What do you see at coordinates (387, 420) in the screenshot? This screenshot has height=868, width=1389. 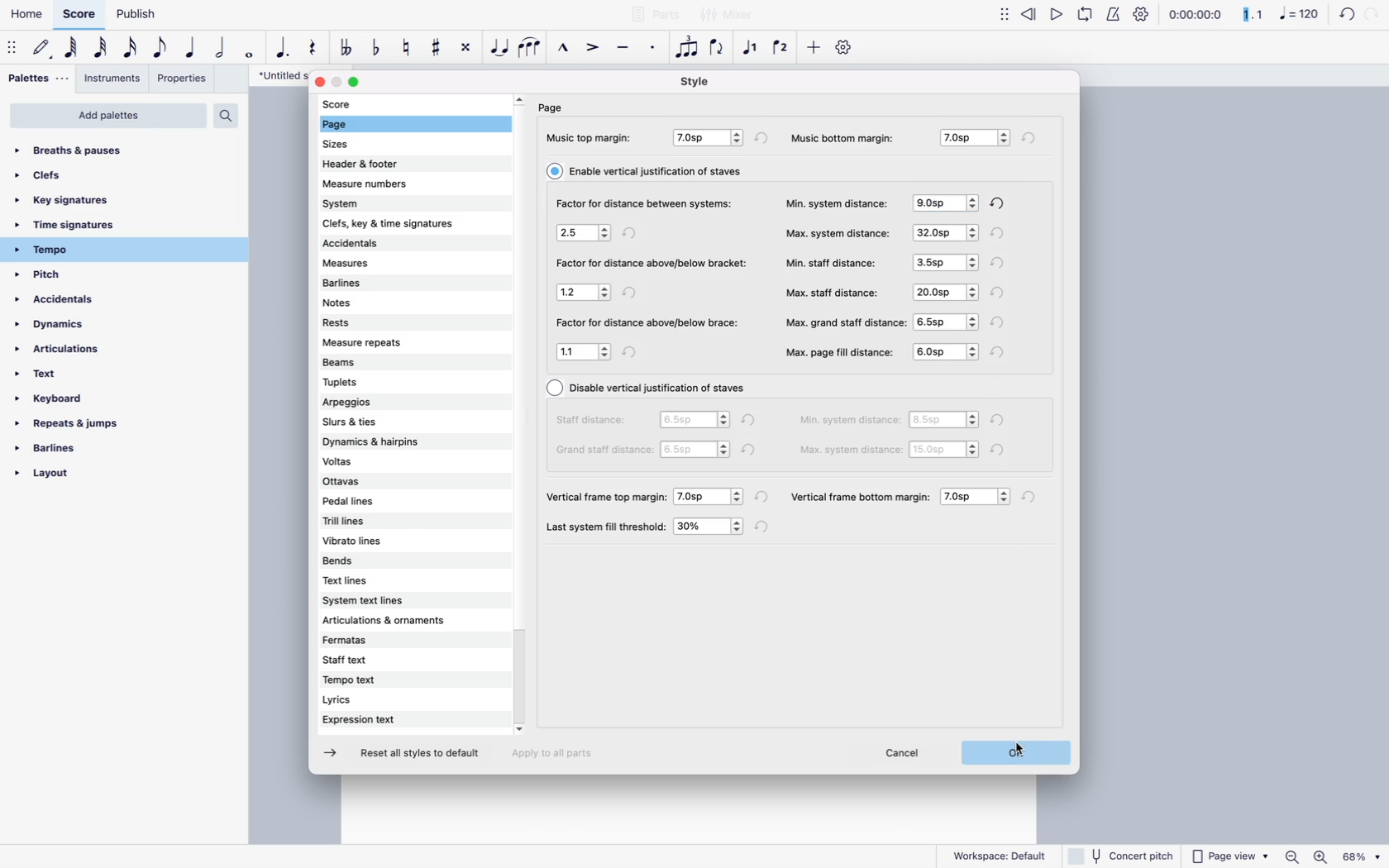 I see `slurs & ties` at bounding box center [387, 420].